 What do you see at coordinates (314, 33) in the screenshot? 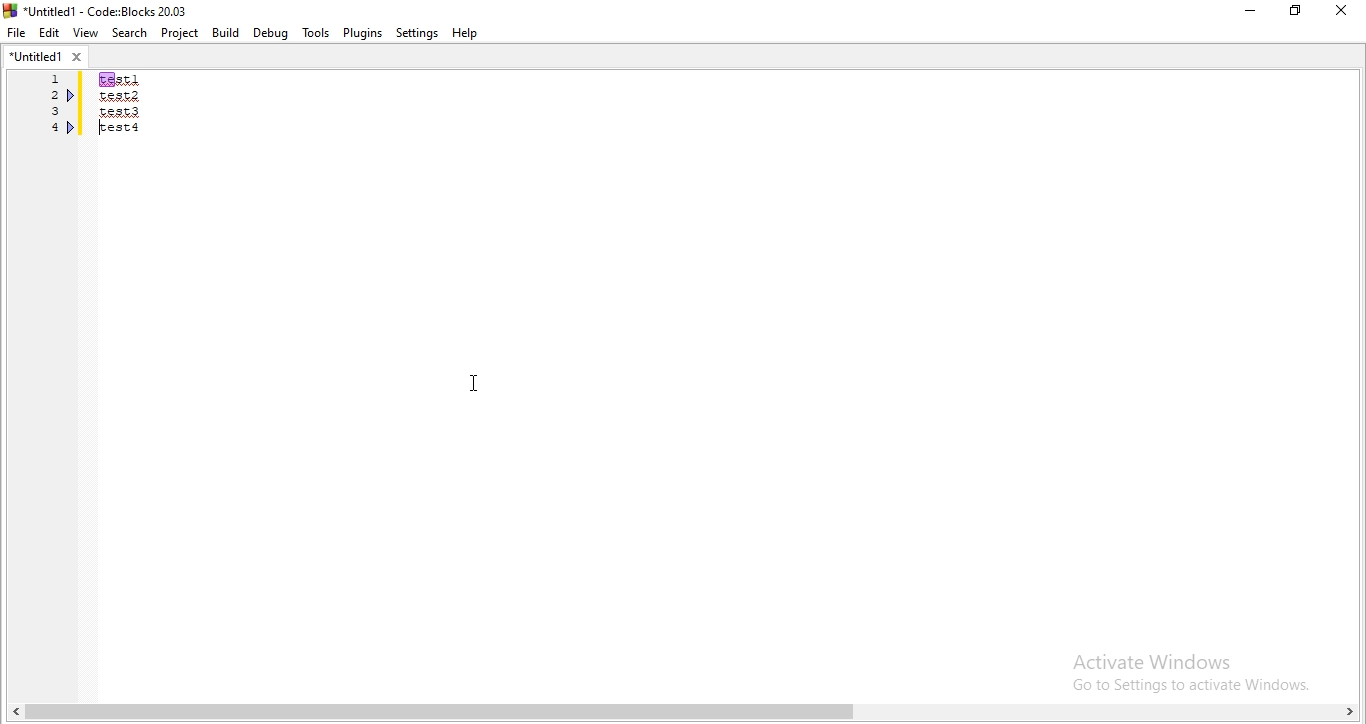
I see `tools` at bounding box center [314, 33].